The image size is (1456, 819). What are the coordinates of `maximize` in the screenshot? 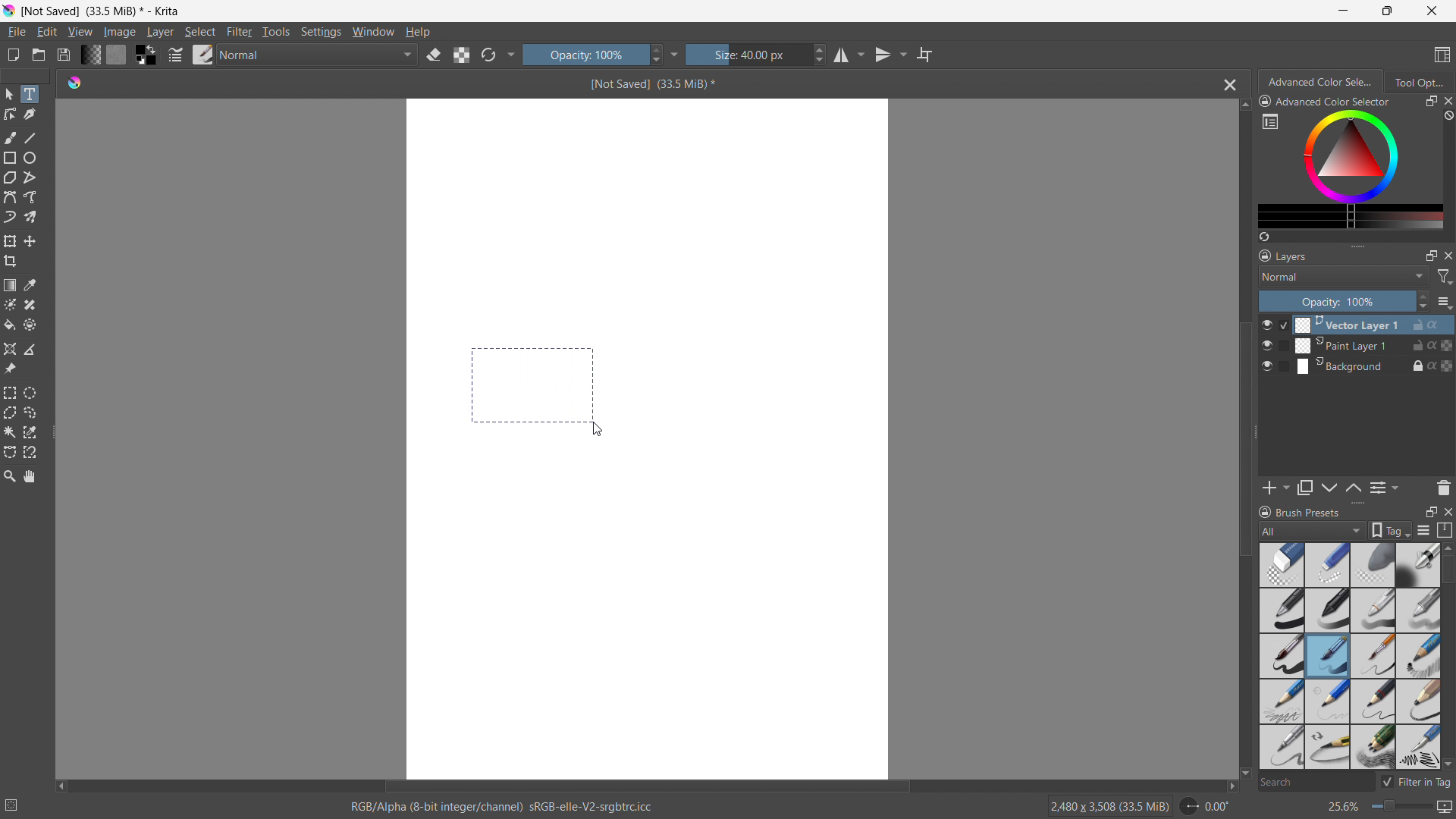 It's located at (1430, 511).